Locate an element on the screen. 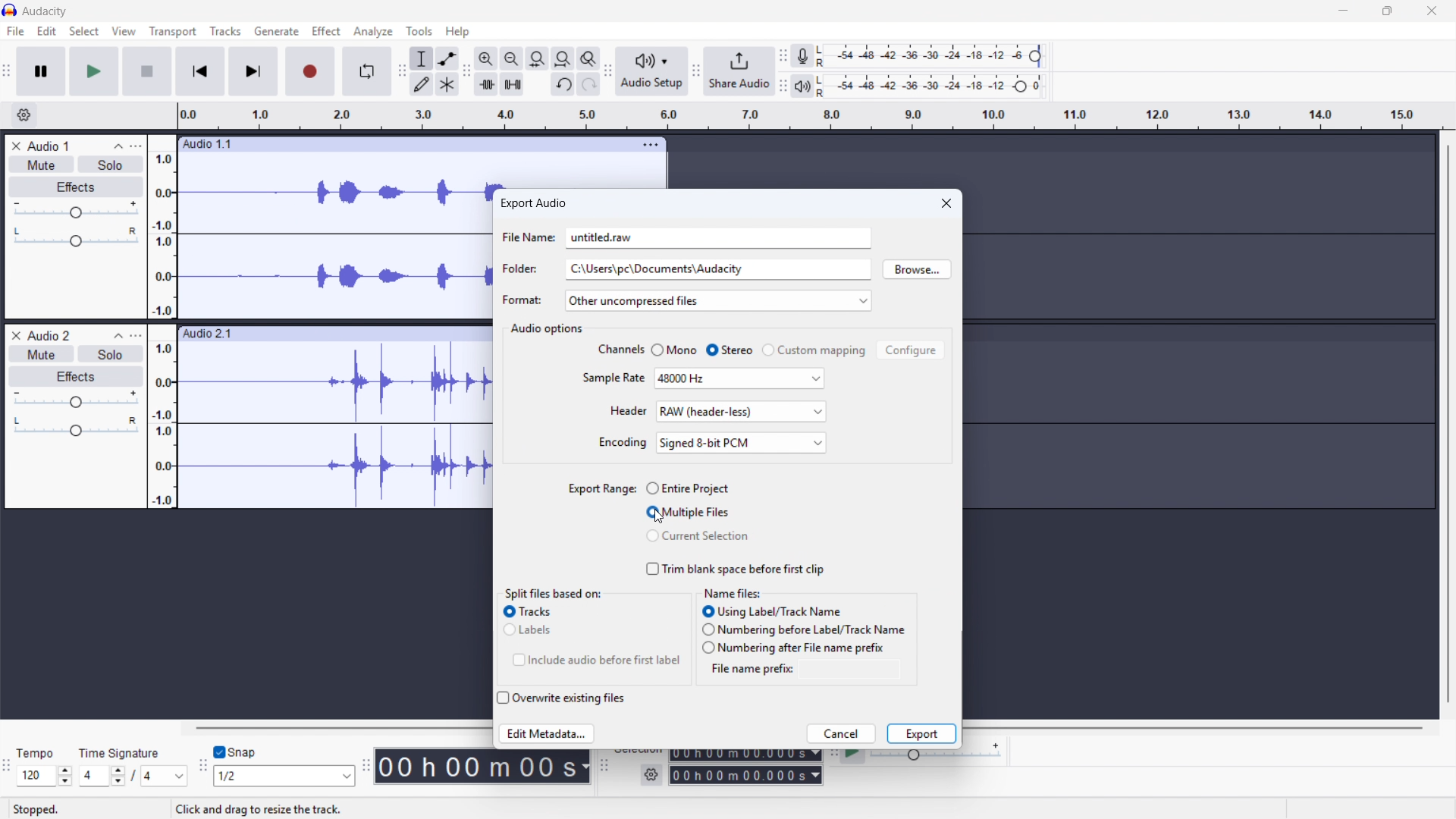  edit  is located at coordinates (46, 31).